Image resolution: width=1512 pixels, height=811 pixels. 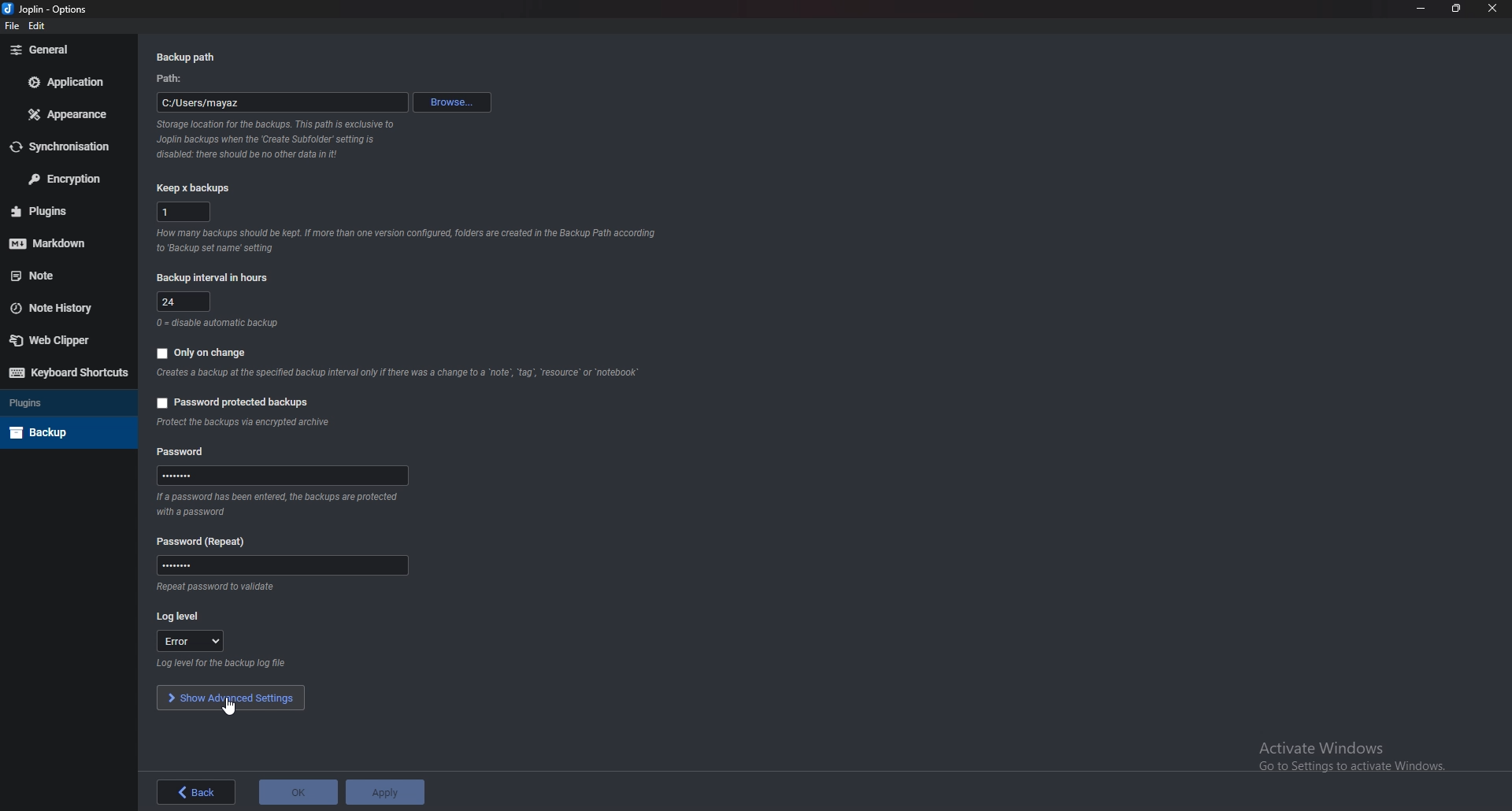 I want to click on 1, so click(x=186, y=212).